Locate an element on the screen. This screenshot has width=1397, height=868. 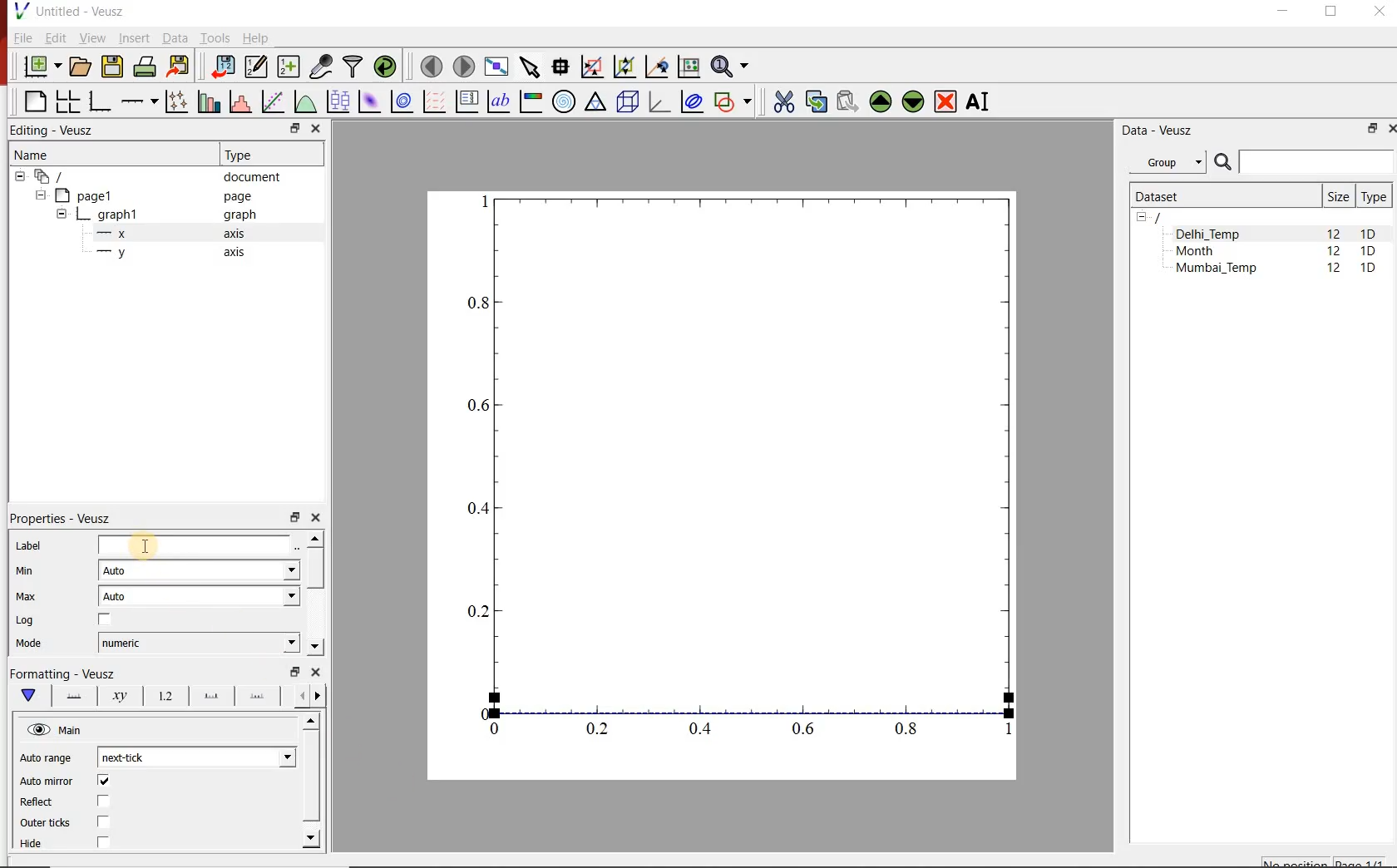
document is located at coordinates (151, 175).